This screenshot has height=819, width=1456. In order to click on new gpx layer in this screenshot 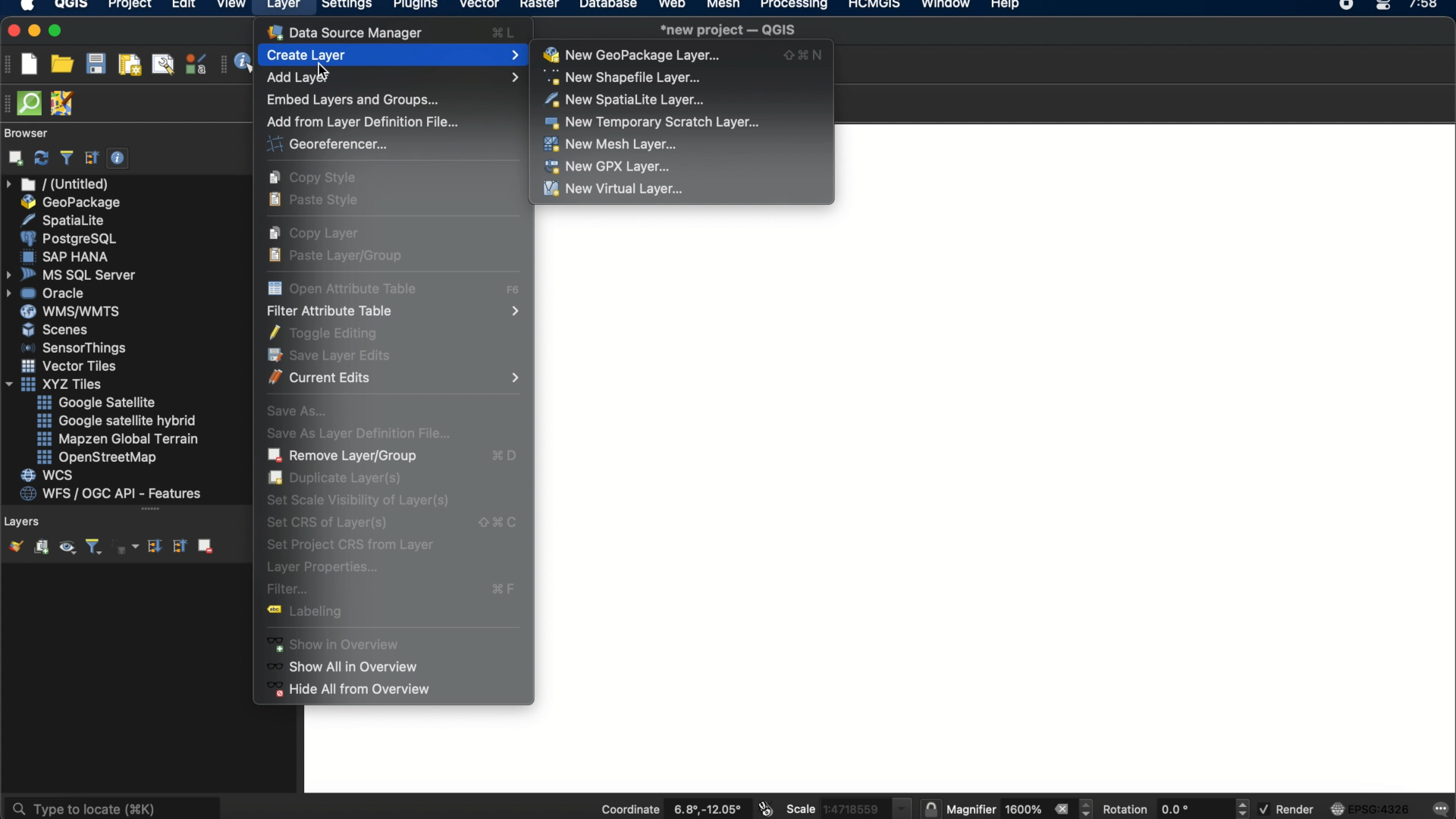, I will do `click(609, 166)`.